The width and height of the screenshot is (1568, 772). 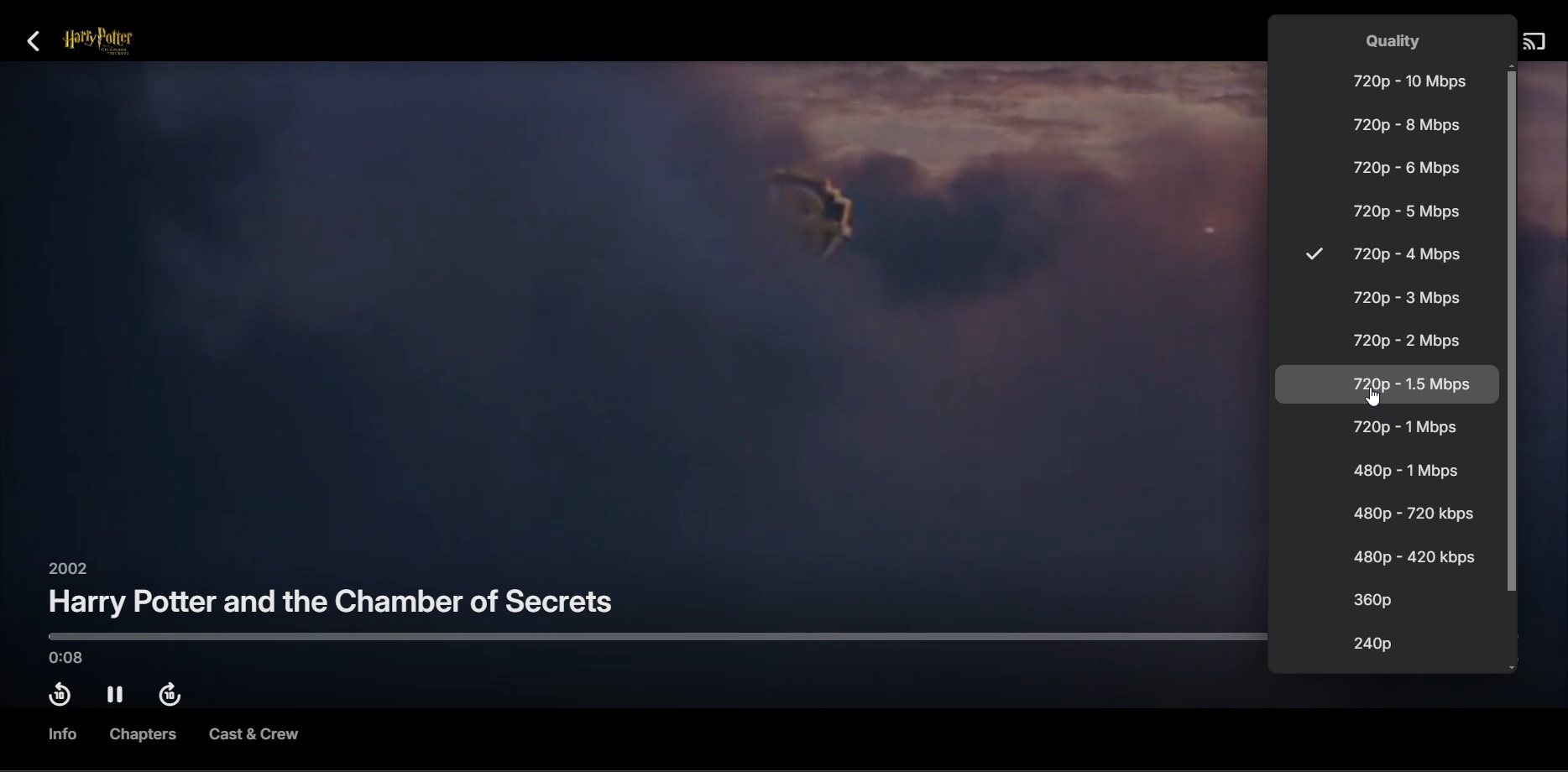 What do you see at coordinates (1387, 385) in the screenshot?
I see `720p - 1.5 Mbps` at bounding box center [1387, 385].